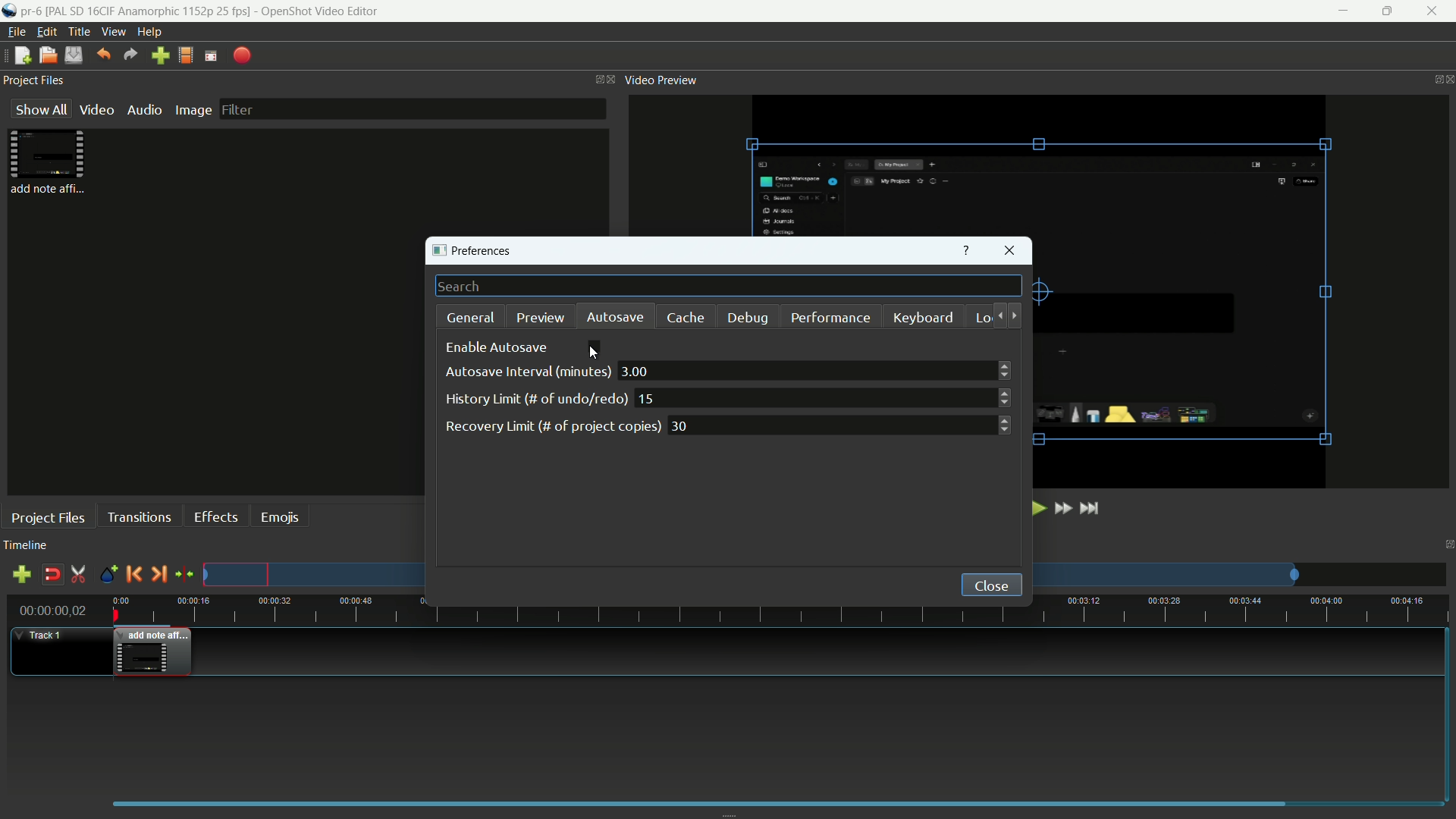 This screenshot has width=1456, height=819. What do you see at coordinates (824, 397) in the screenshot?
I see `15` at bounding box center [824, 397].